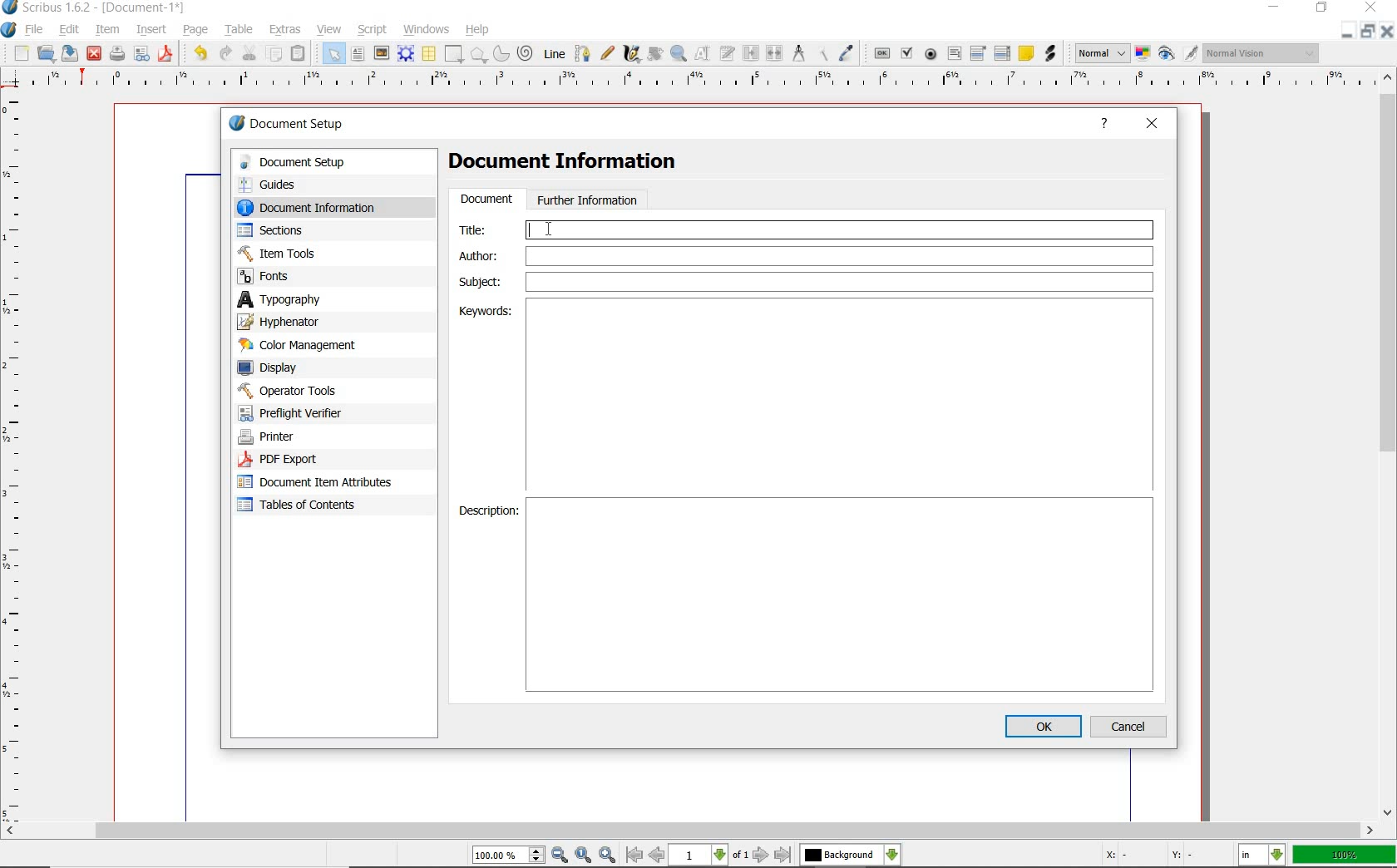 The image size is (1397, 868). What do you see at coordinates (1349, 33) in the screenshot?
I see `close` at bounding box center [1349, 33].